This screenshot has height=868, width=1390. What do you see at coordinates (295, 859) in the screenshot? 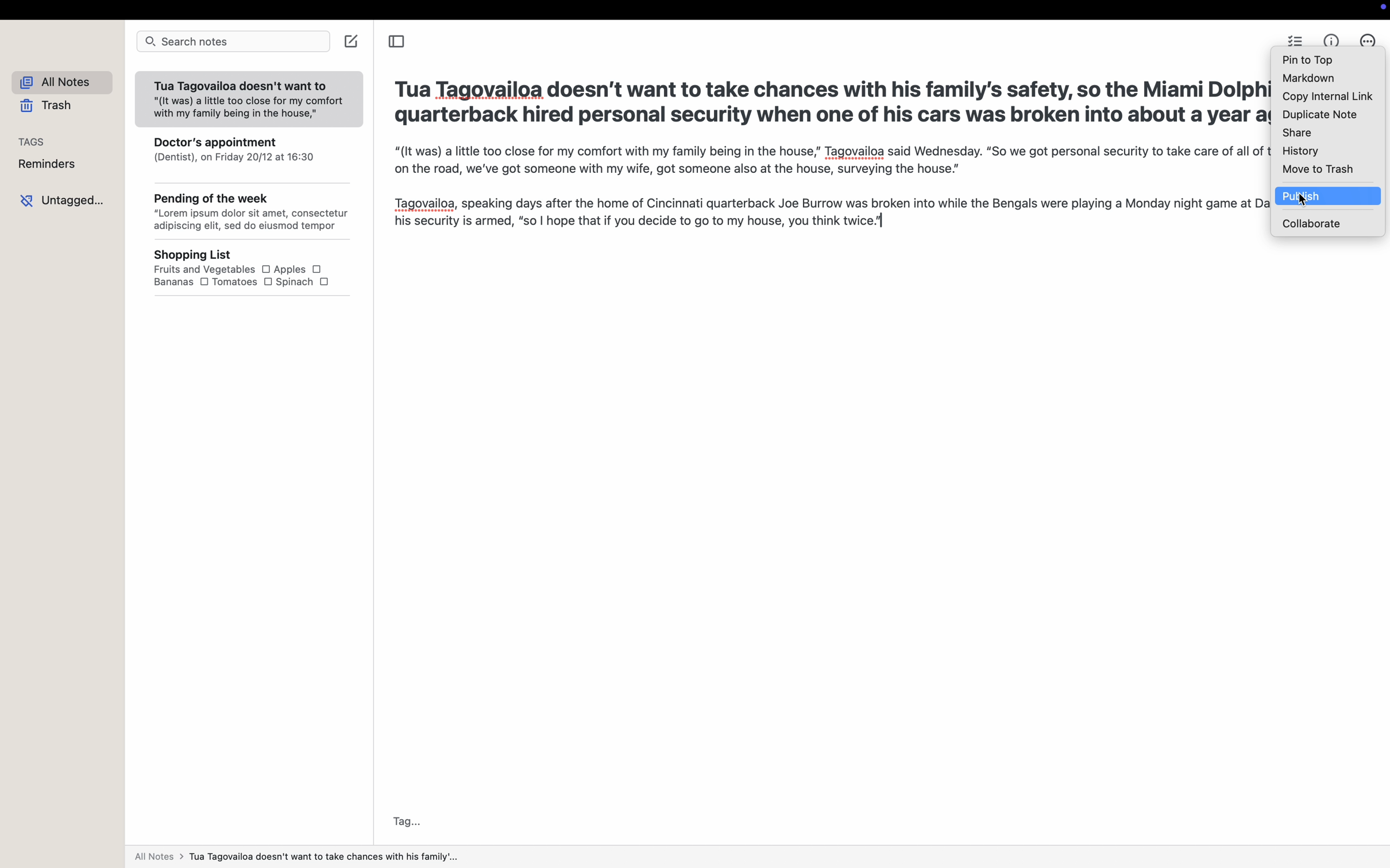
I see `all notes` at bounding box center [295, 859].